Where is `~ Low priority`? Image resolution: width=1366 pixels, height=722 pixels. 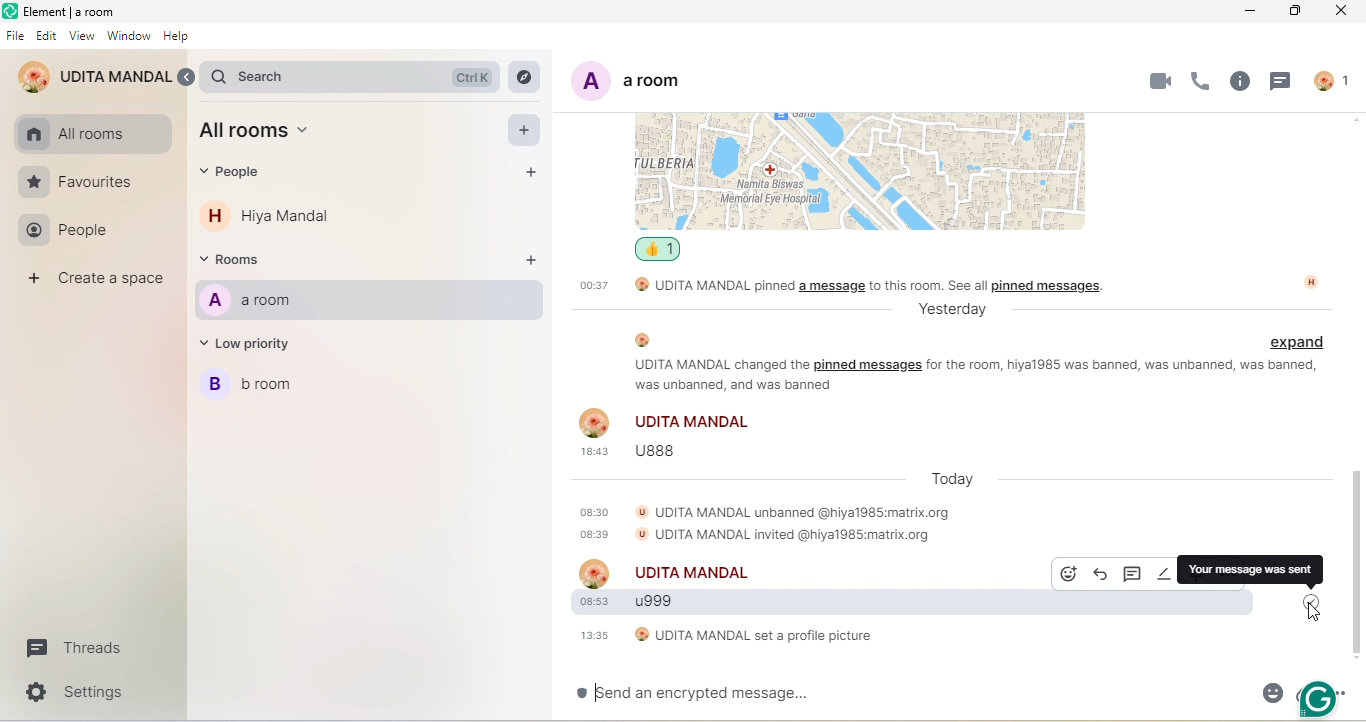 ~ Low priority is located at coordinates (259, 346).